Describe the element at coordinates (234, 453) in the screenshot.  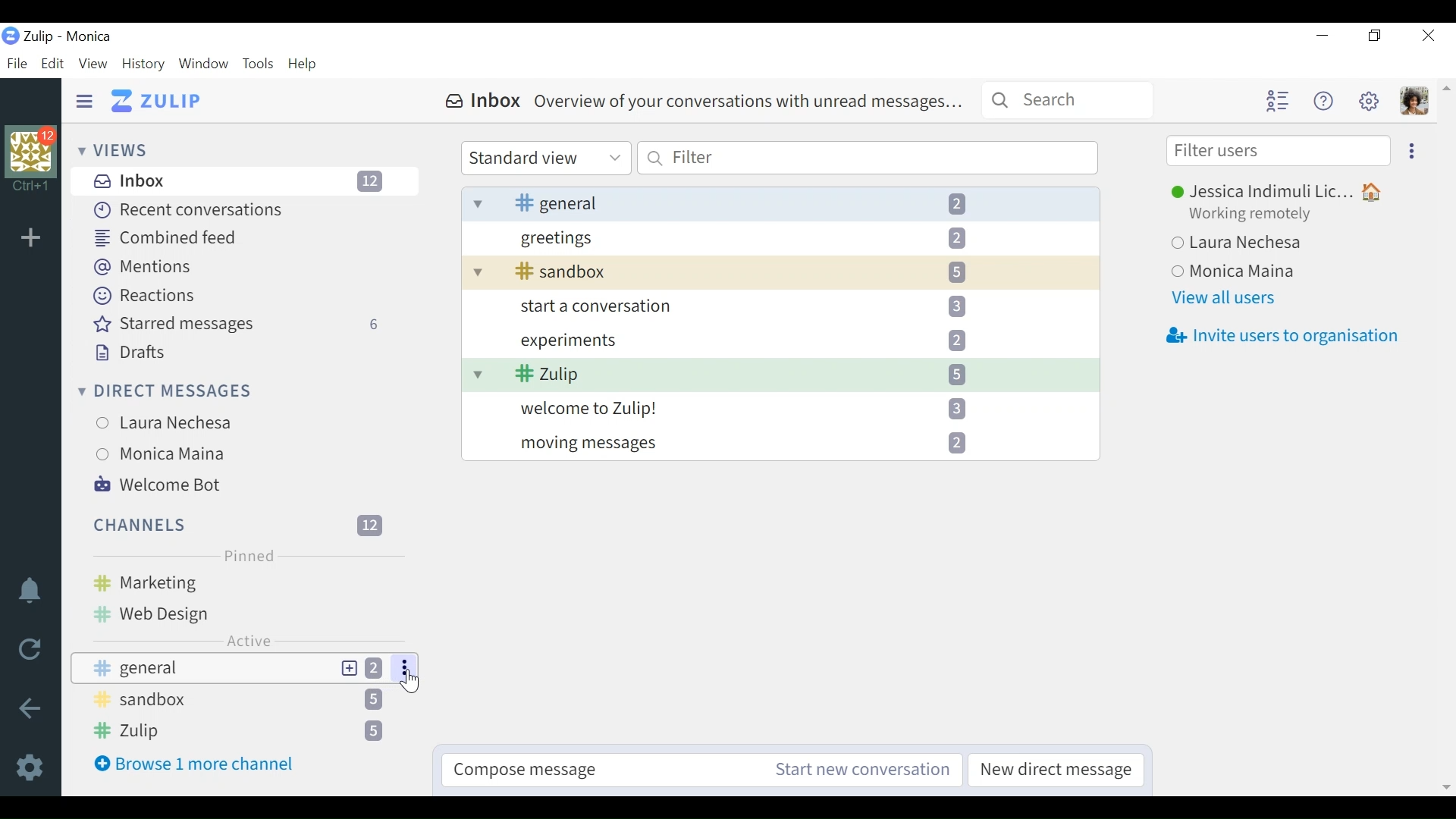
I see `Monica Maina` at that location.